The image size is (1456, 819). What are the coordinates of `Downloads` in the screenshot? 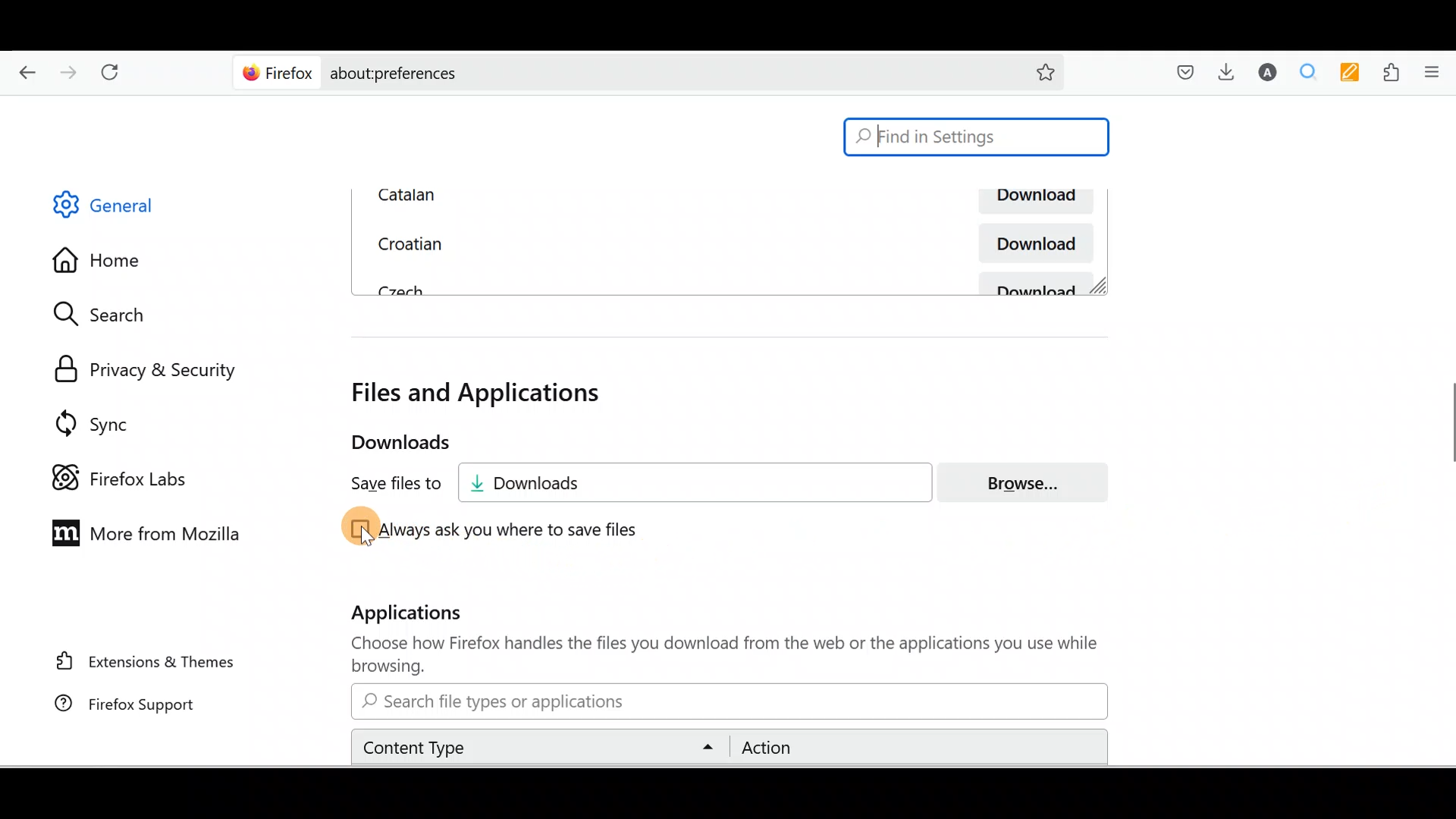 It's located at (1231, 75).